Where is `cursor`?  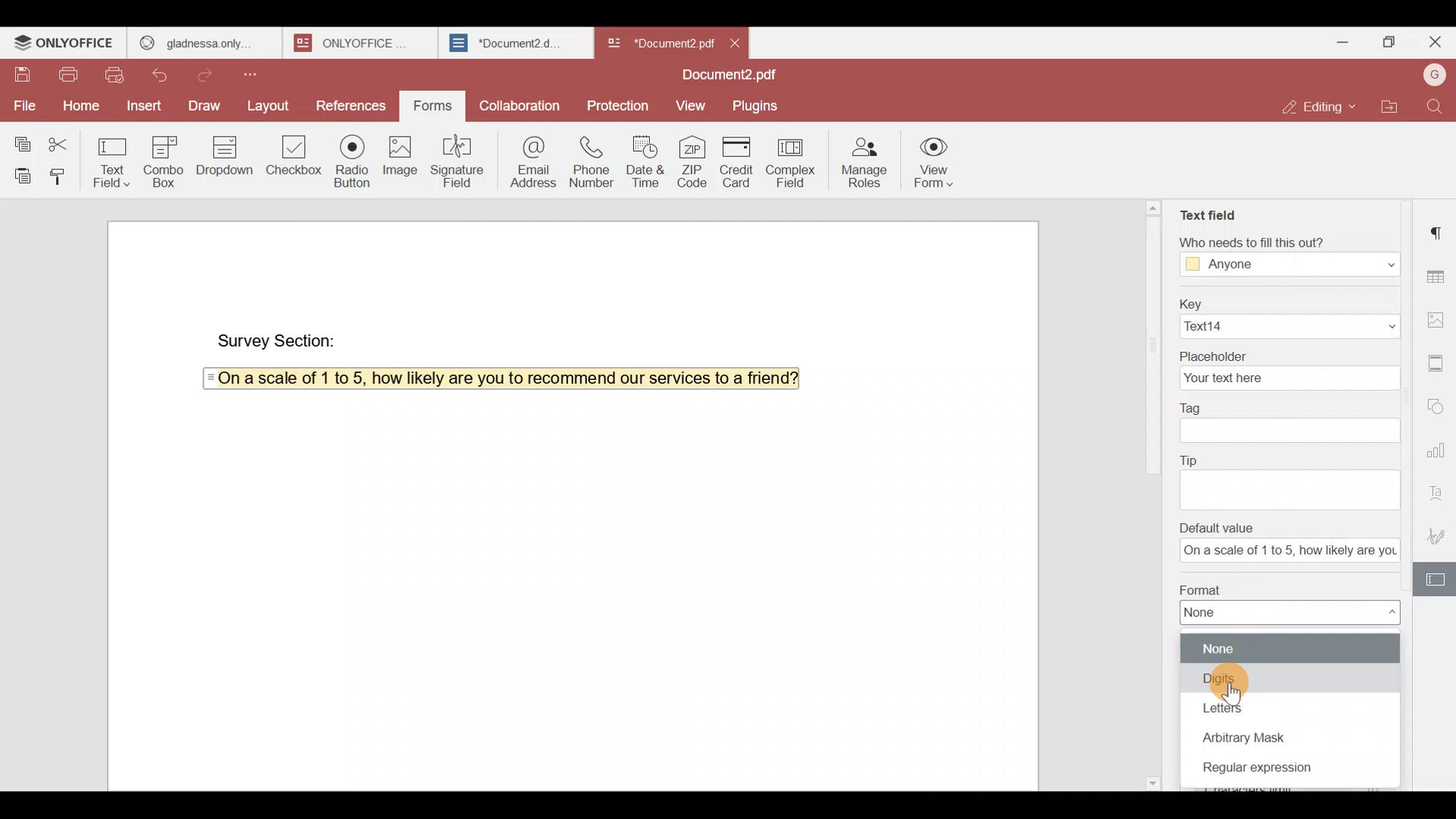
cursor is located at coordinates (1232, 692).